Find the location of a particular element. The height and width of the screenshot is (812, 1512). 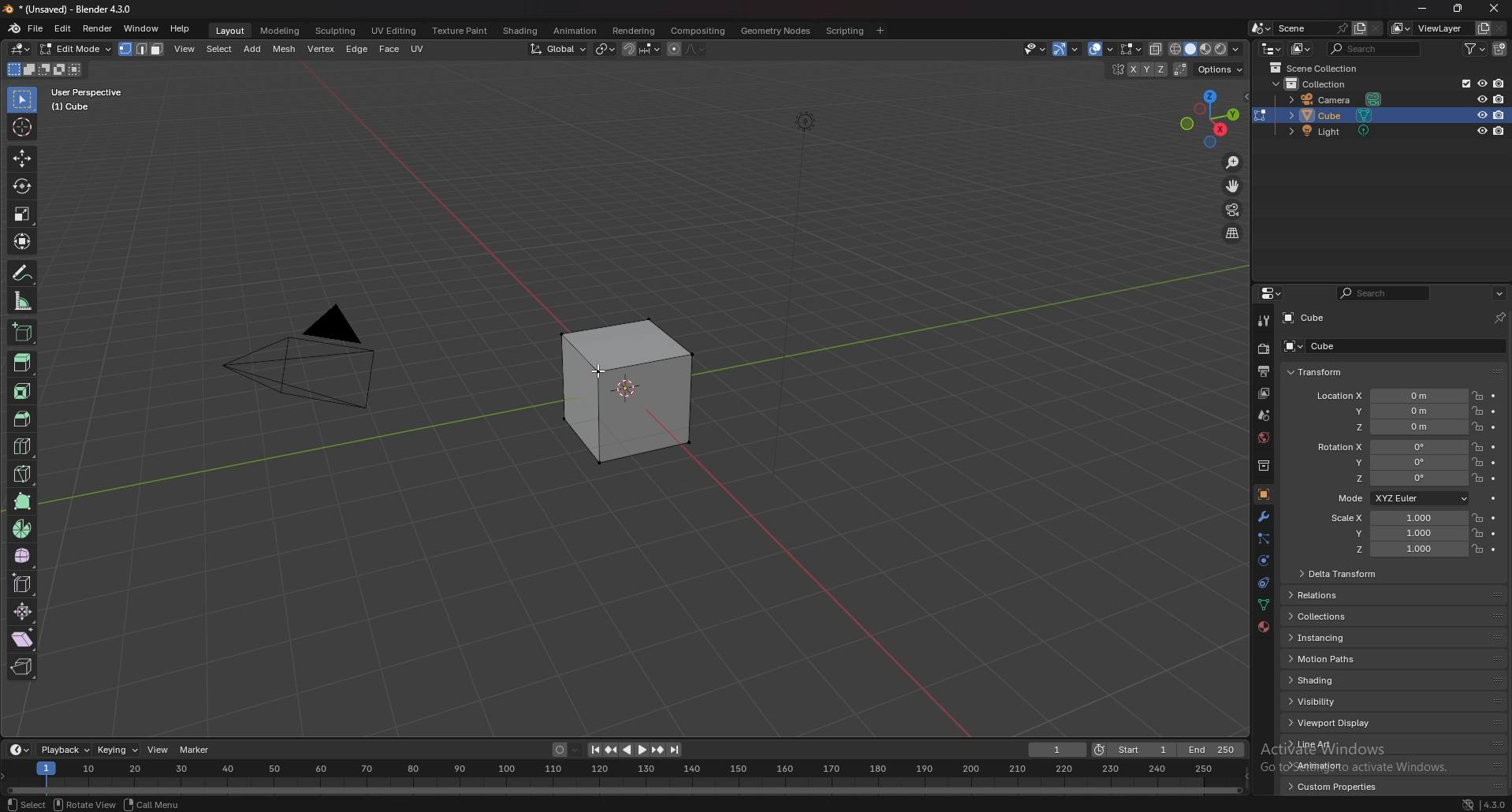

annotate is located at coordinates (23, 272).